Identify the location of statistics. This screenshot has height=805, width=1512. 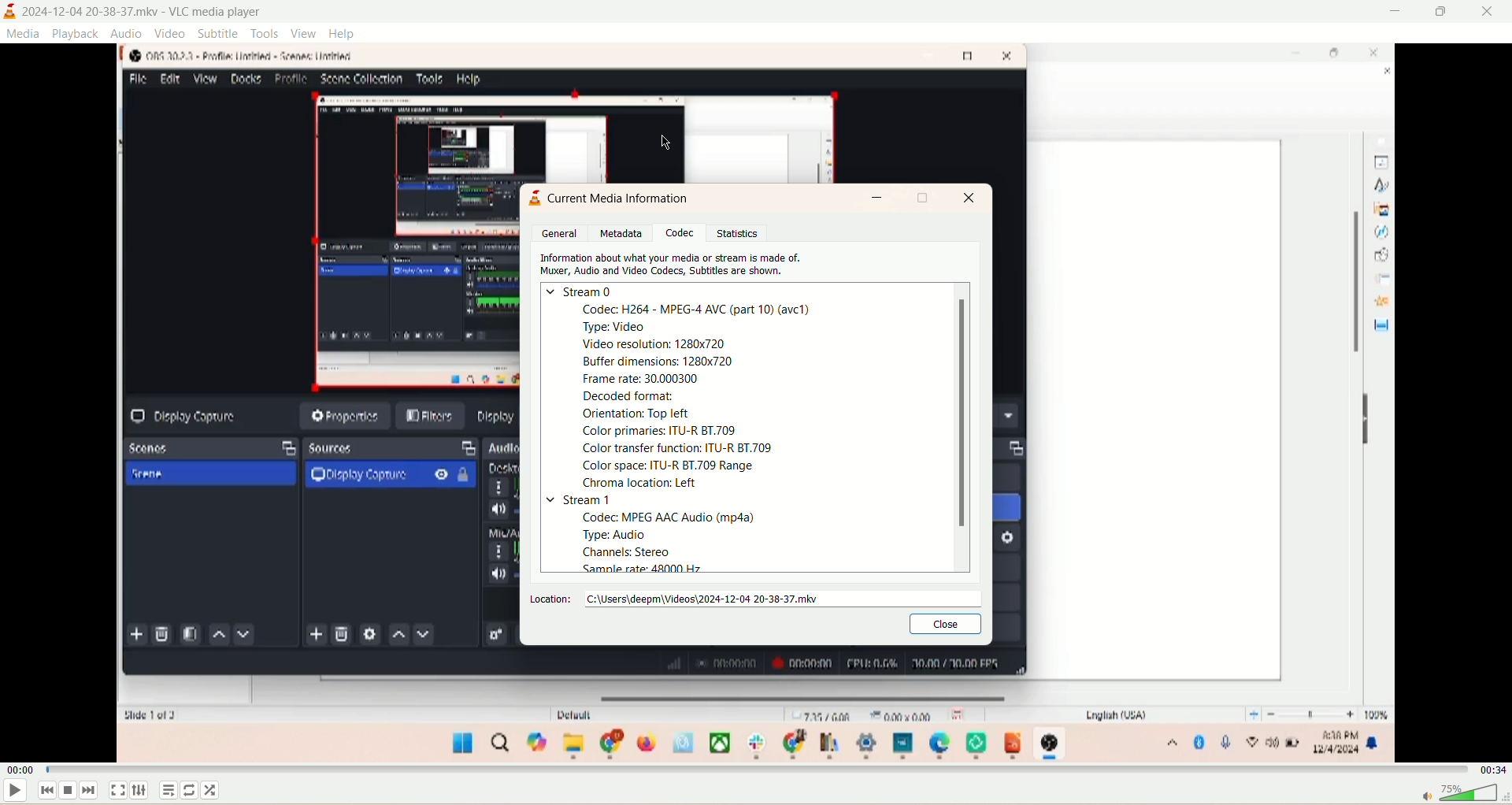
(738, 233).